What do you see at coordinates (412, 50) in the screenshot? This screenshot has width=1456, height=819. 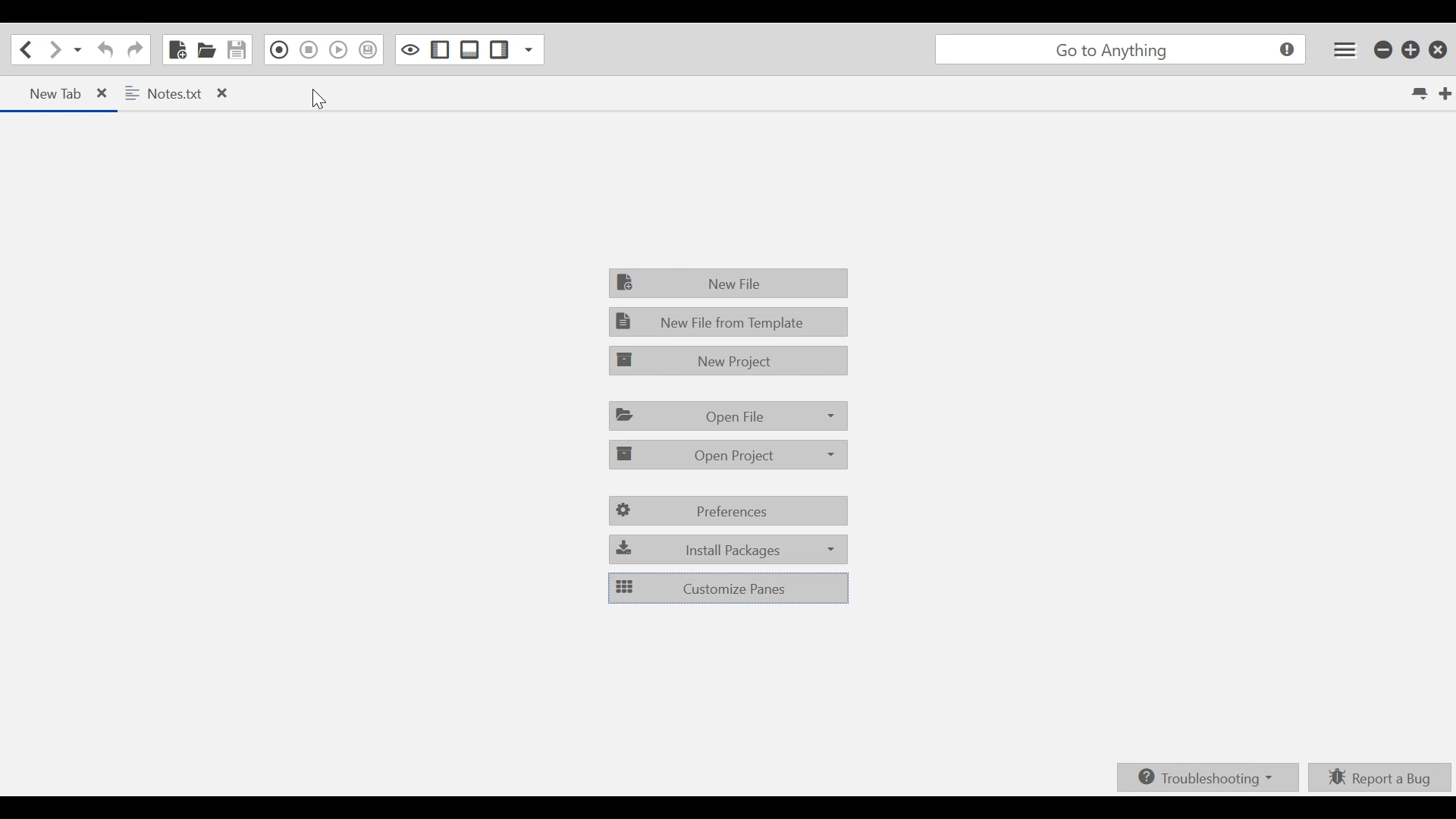 I see `Toggle Focus Mode` at bounding box center [412, 50].